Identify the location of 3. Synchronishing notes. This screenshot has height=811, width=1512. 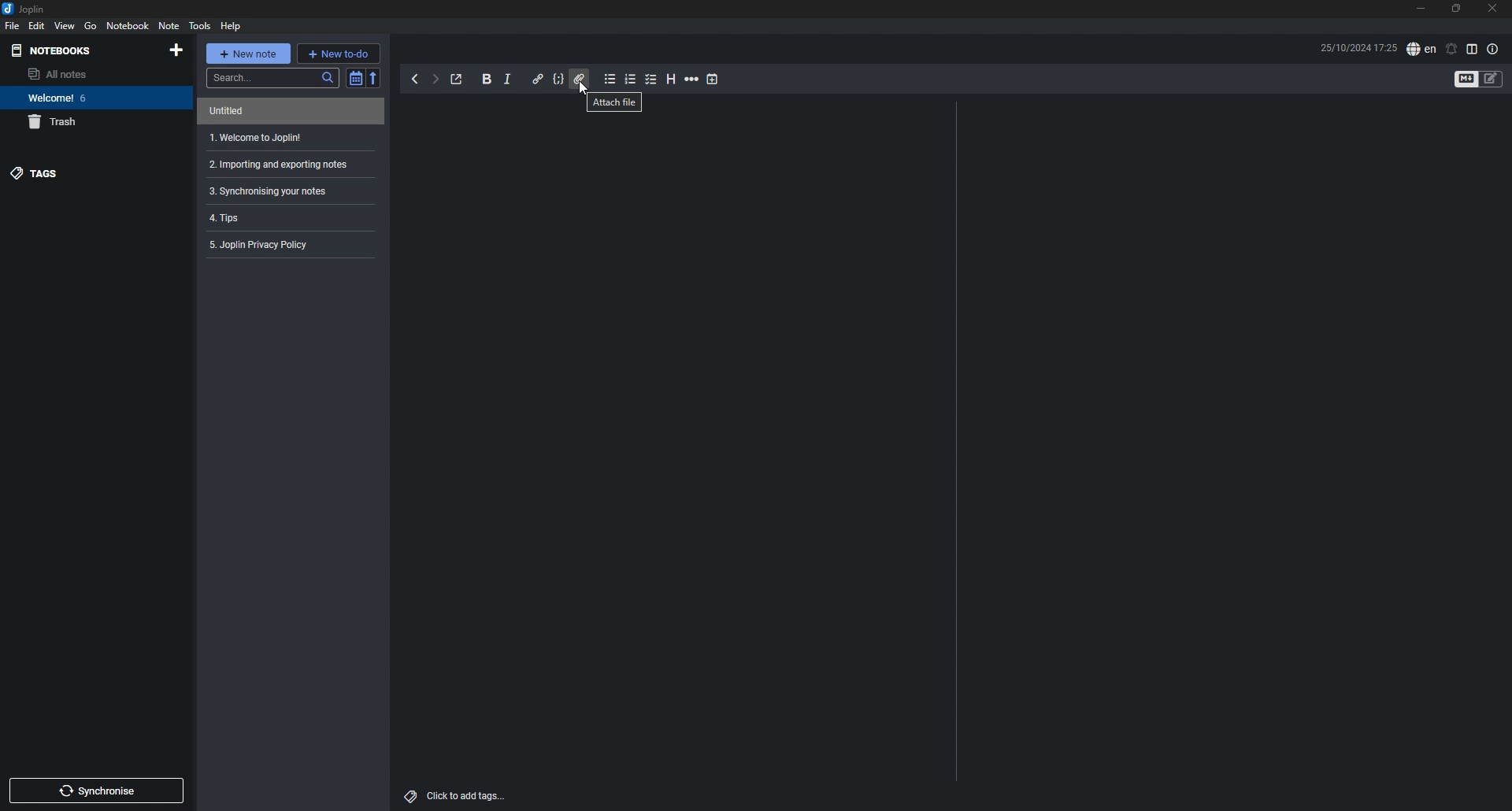
(284, 191).